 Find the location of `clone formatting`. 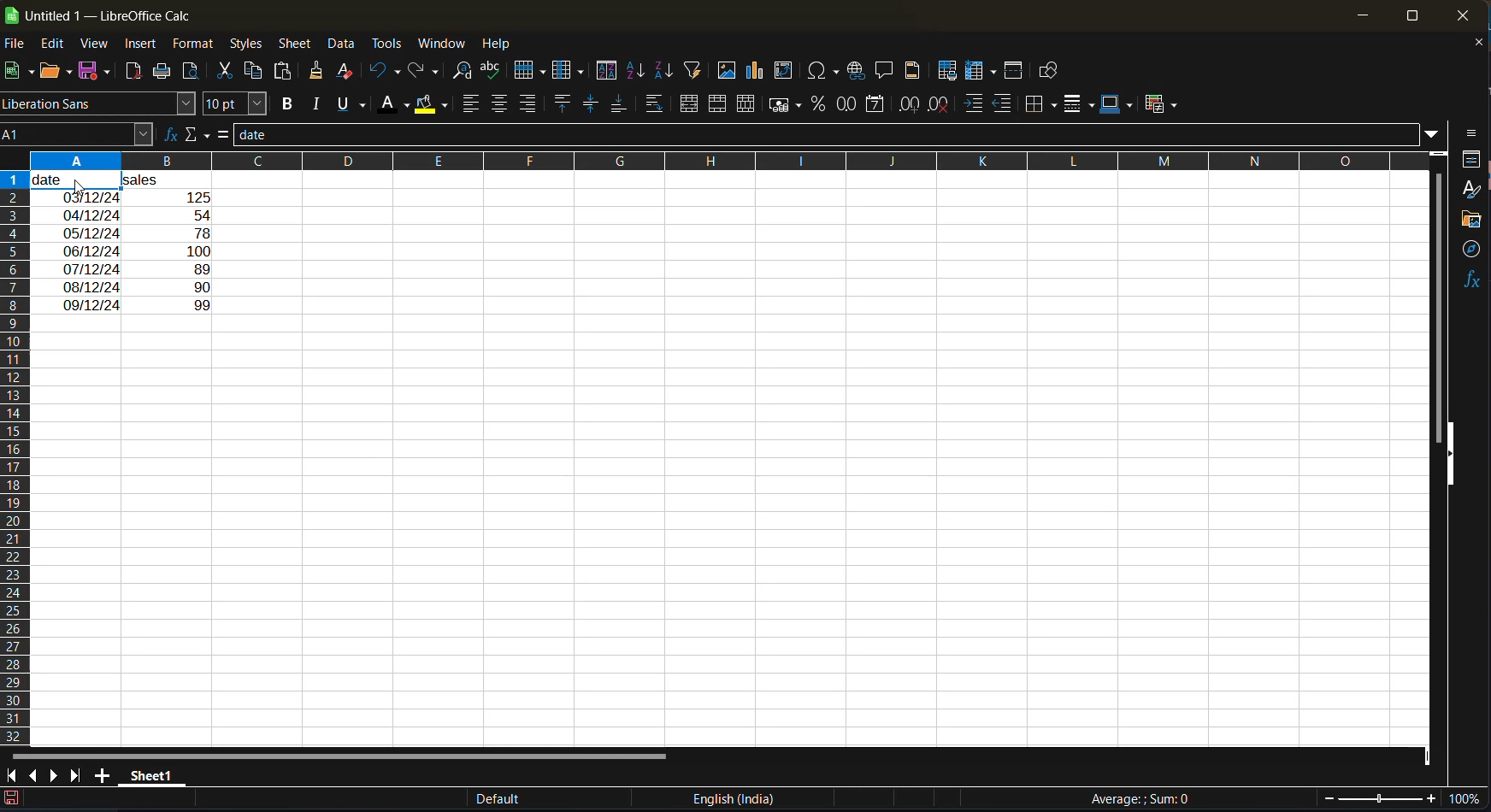

clone formatting is located at coordinates (318, 72).